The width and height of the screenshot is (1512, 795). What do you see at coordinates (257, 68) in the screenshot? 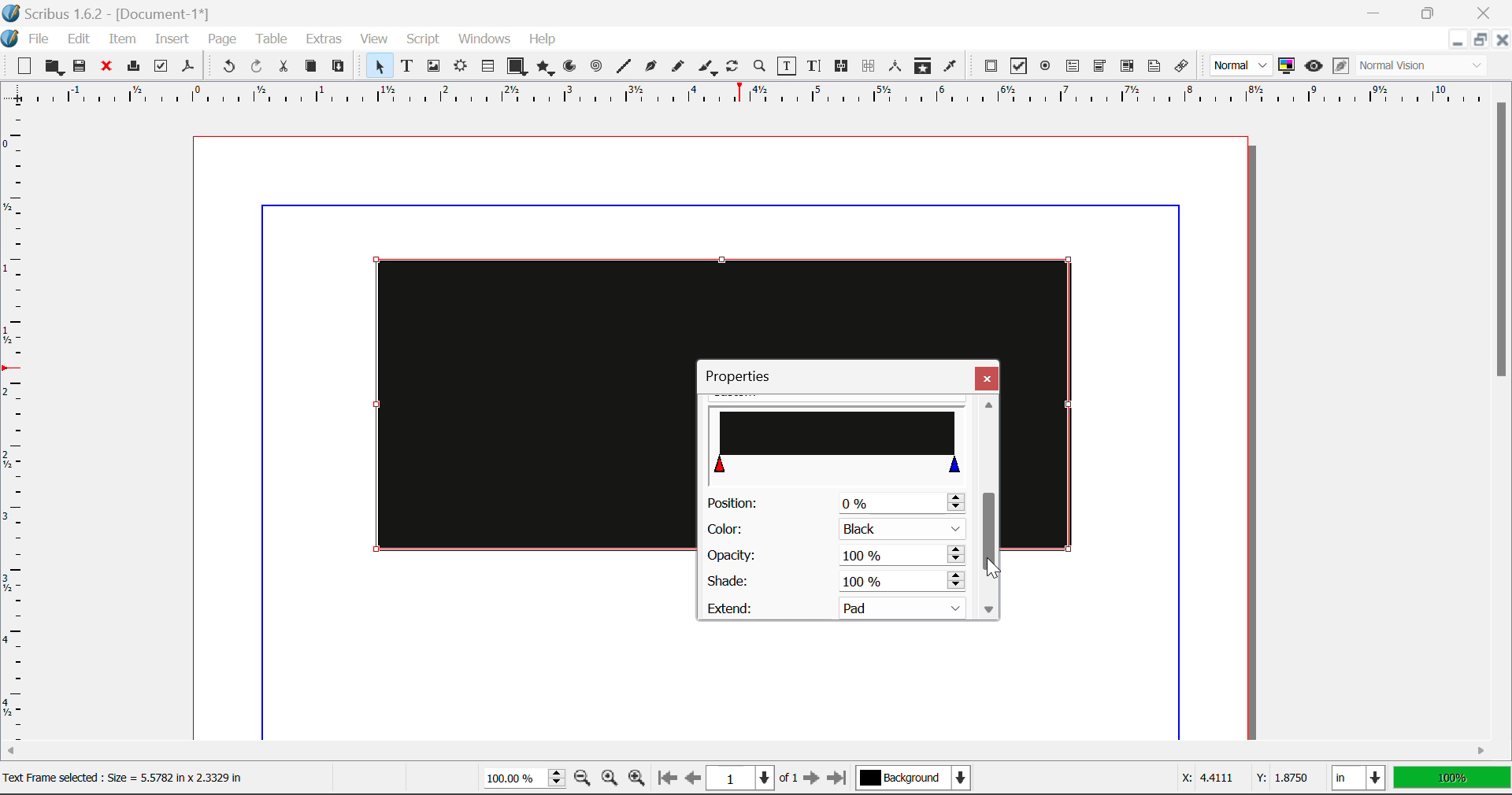
I see `Redo` at bounding box center [257, 68].